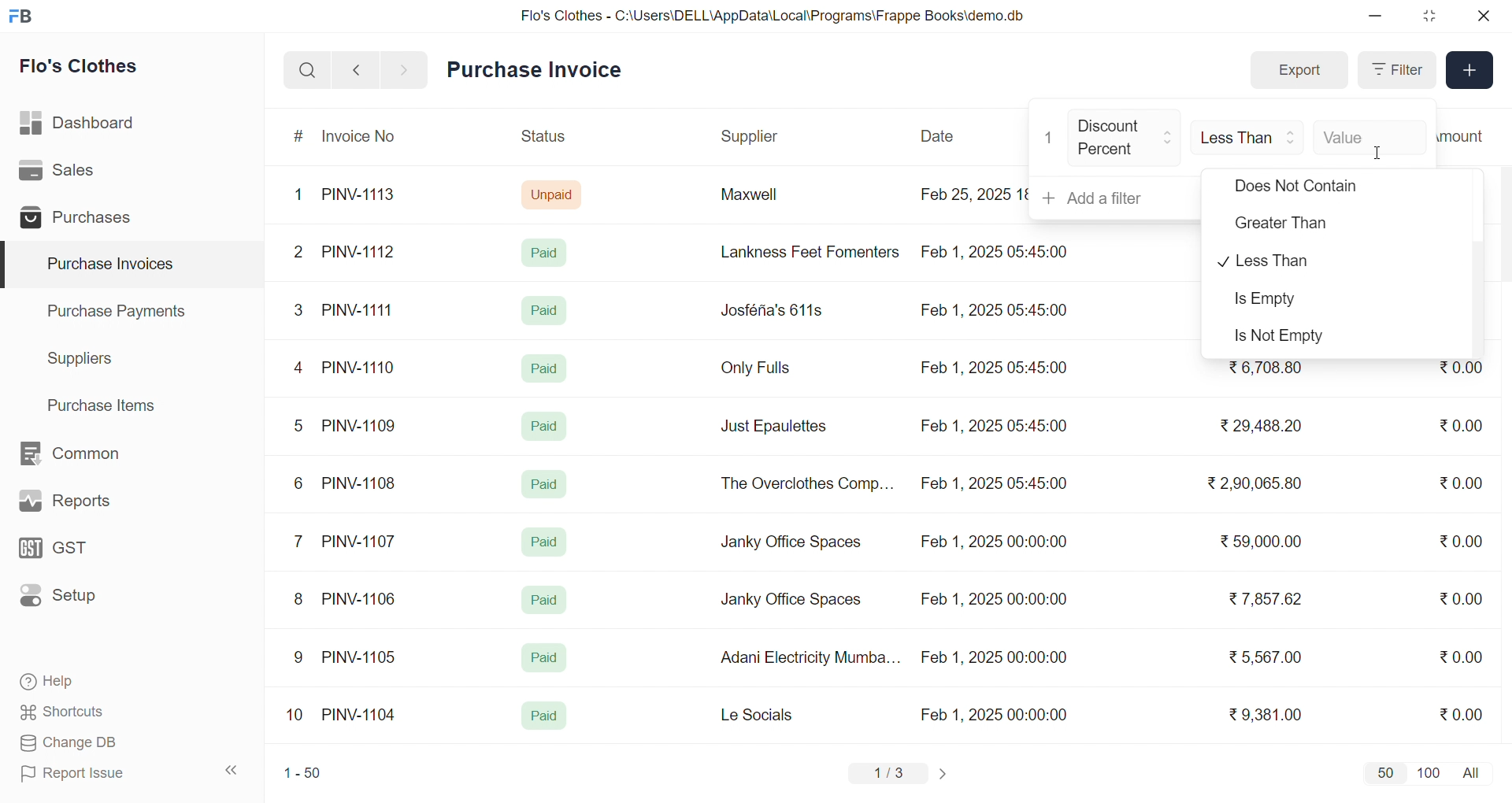 The image size is (1512, 803). Describe the element at coordinates (1470, 71) in the screenshot. I see `Add` at that location.